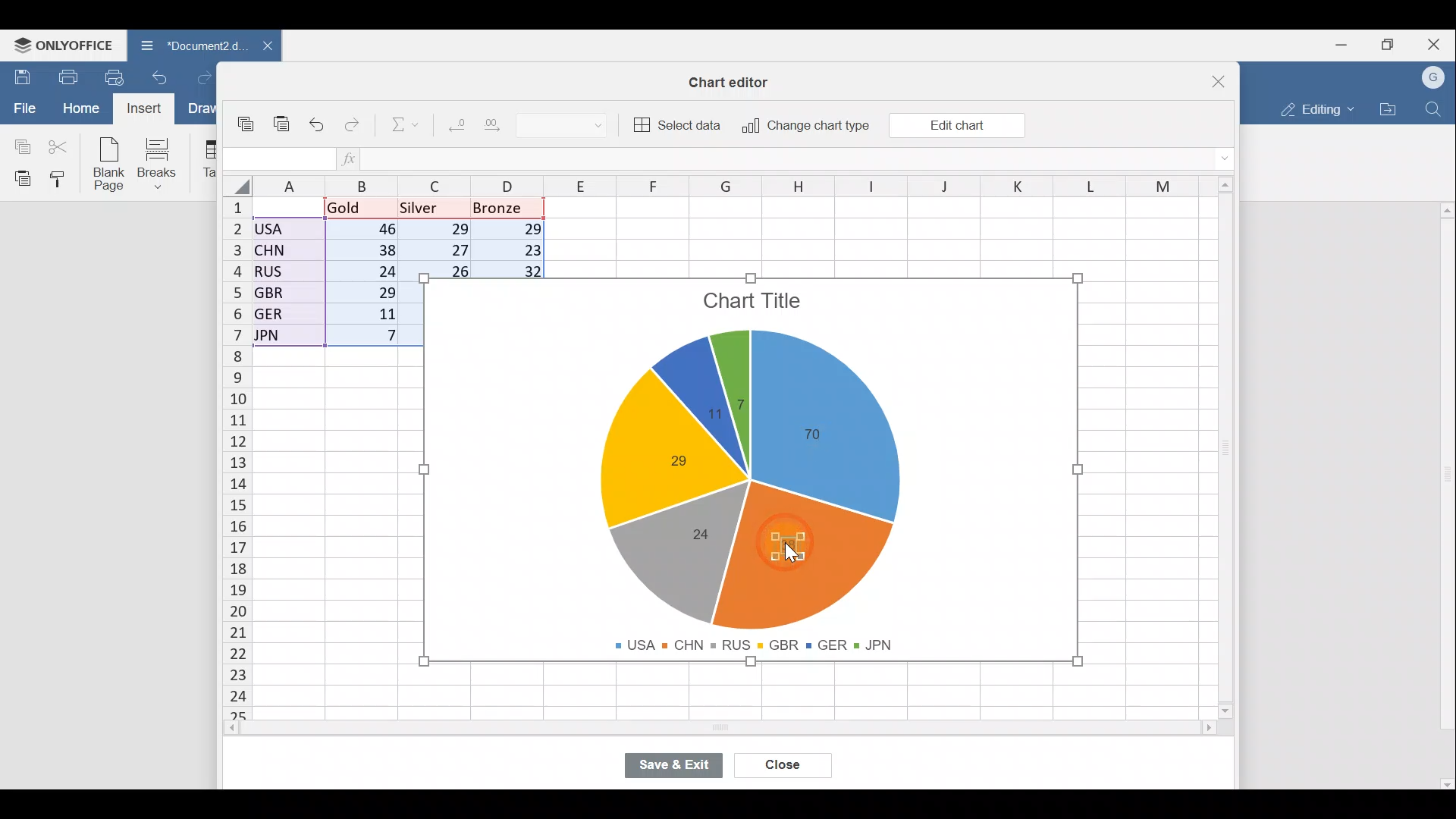  Describe the element at coordinates (315, 272) in the screenshot. I see `Data` at that location.